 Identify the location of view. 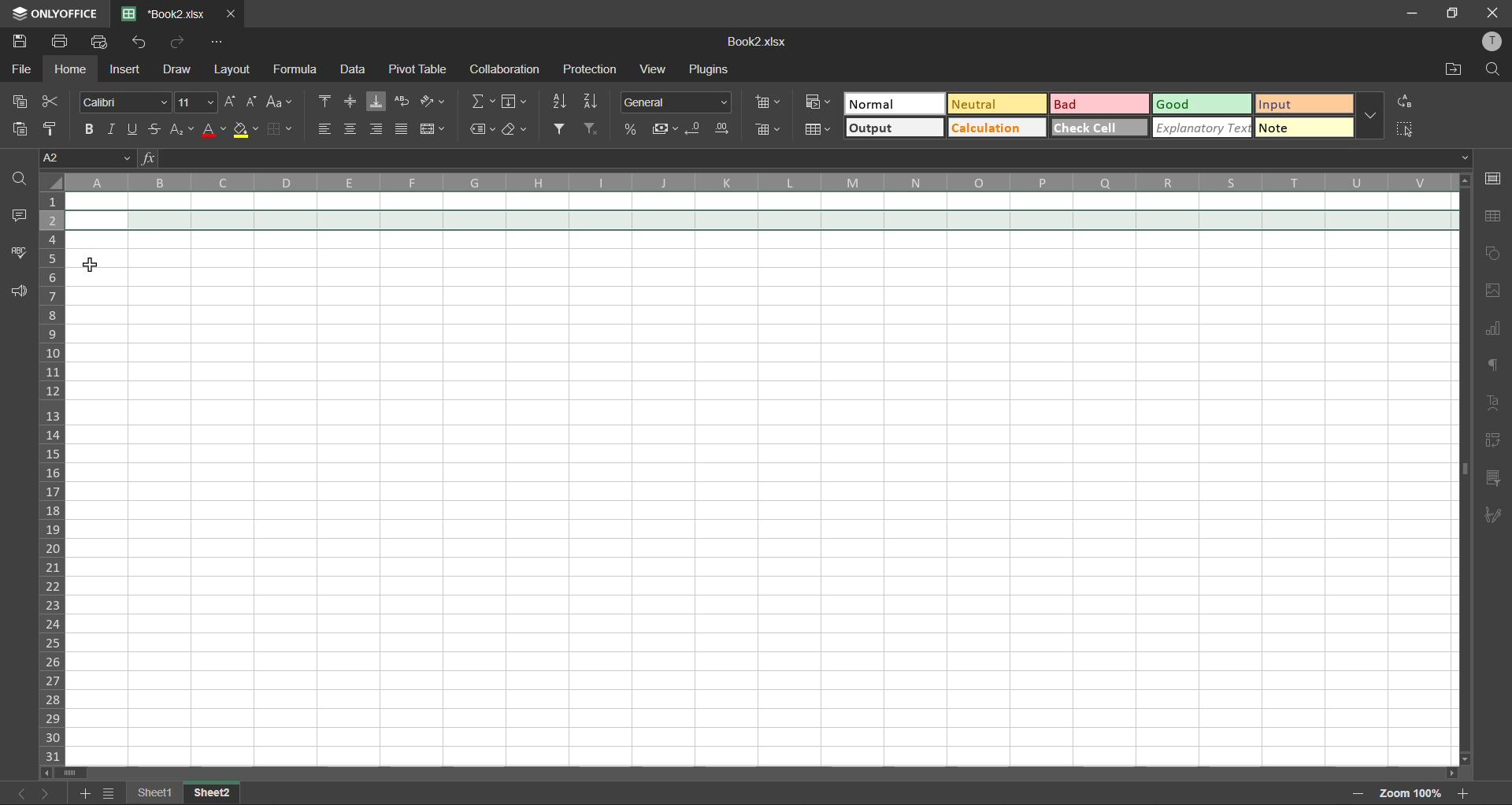
(652, 69).